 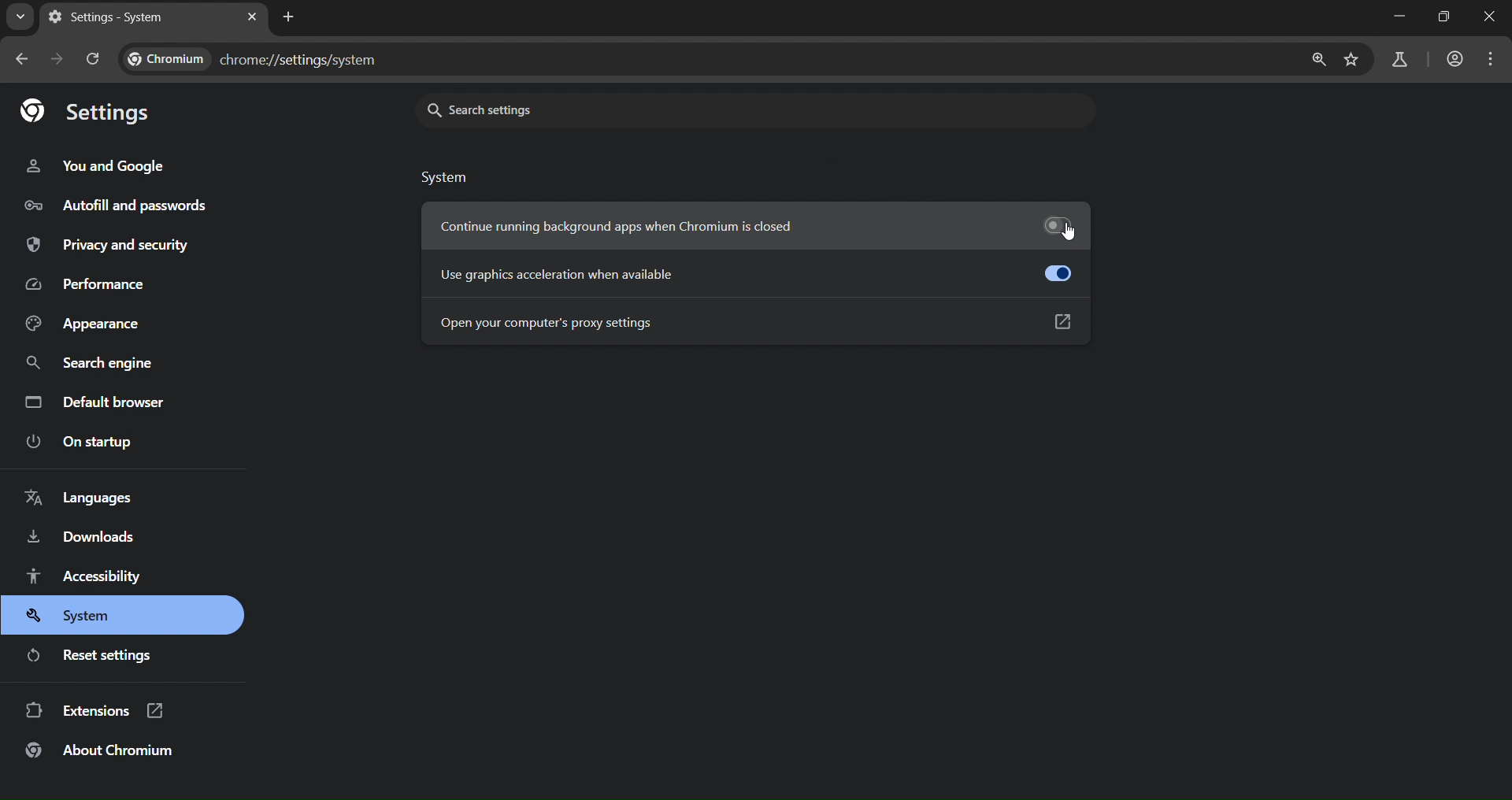 I want to click on accounts, so click(x=1458, y=59).